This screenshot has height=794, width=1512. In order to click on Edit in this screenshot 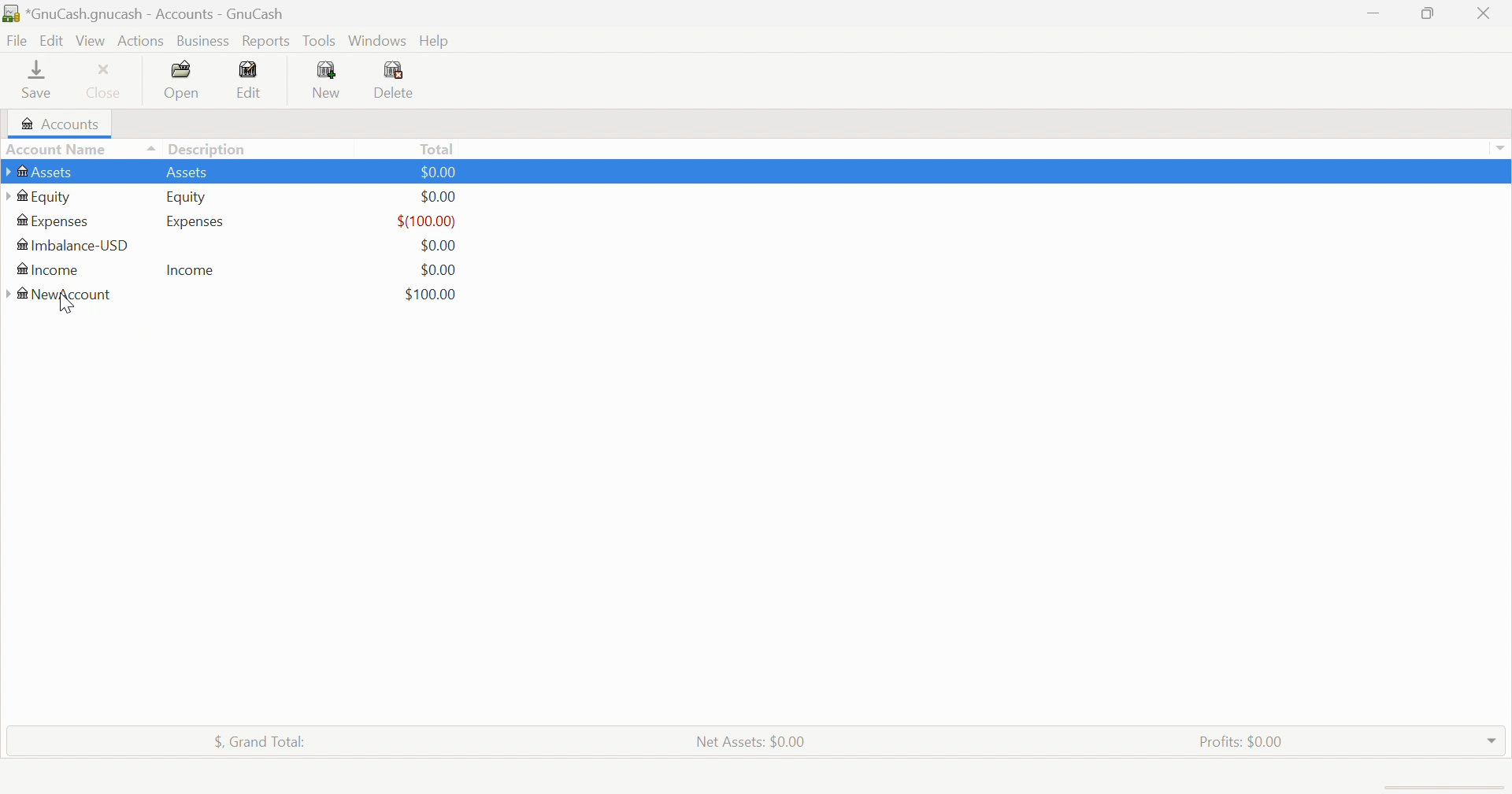, I will do `click(250, 79)`.